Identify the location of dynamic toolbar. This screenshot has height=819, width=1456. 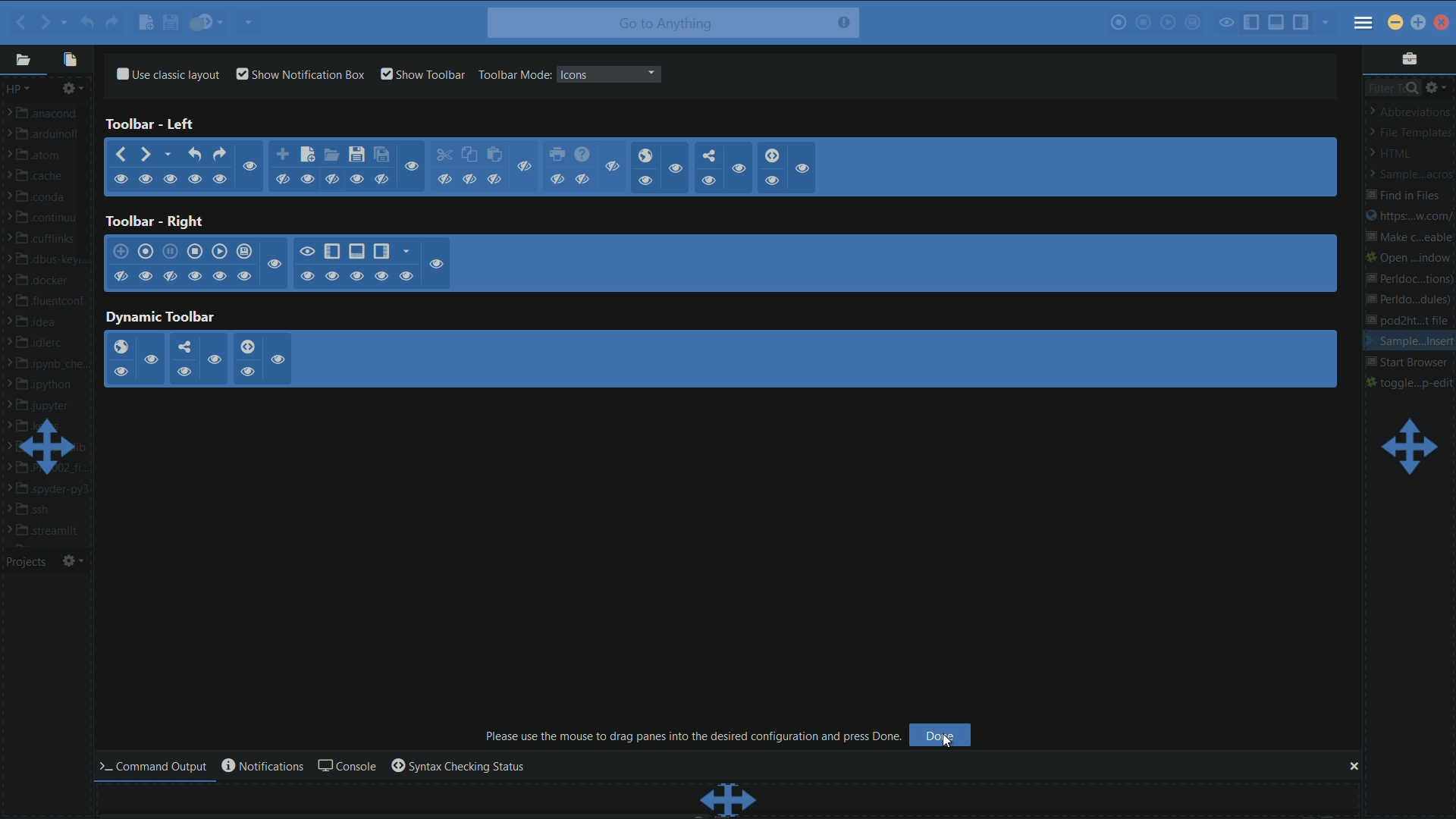
(161, 318).